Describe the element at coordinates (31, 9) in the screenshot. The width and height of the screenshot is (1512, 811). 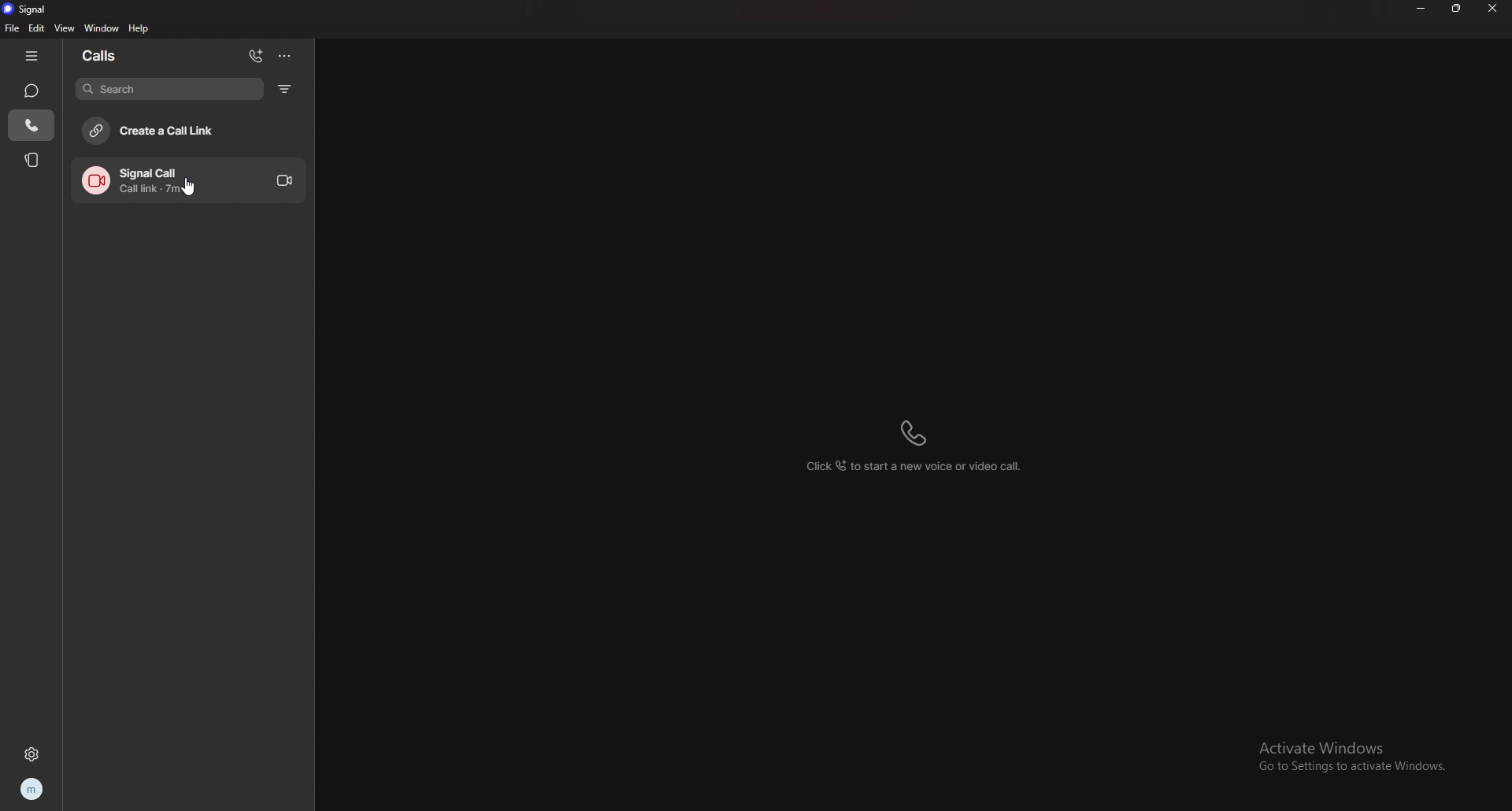
I see `signal` at that location.